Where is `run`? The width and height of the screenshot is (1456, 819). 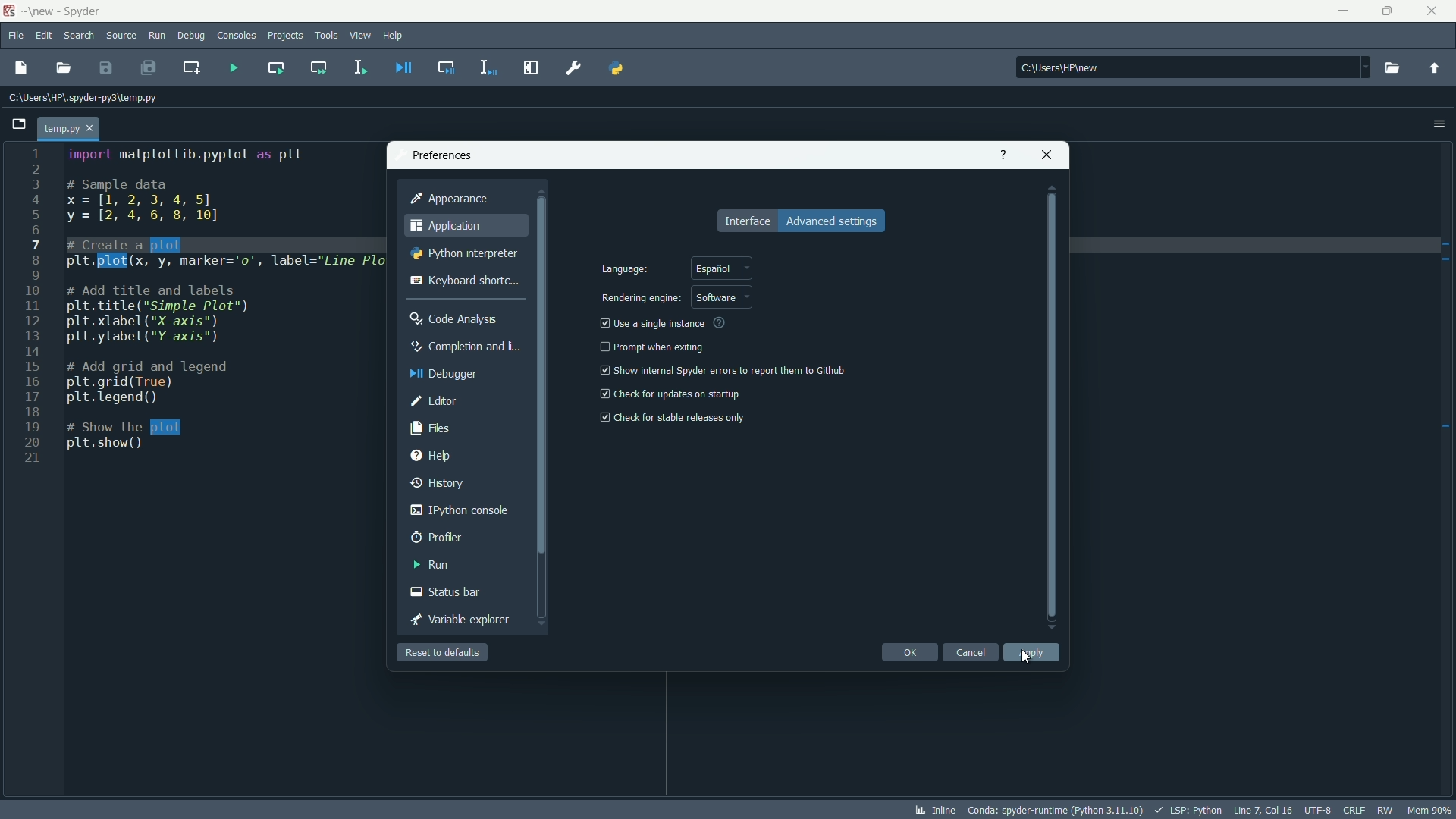 run is located at coordinates (430, 564).